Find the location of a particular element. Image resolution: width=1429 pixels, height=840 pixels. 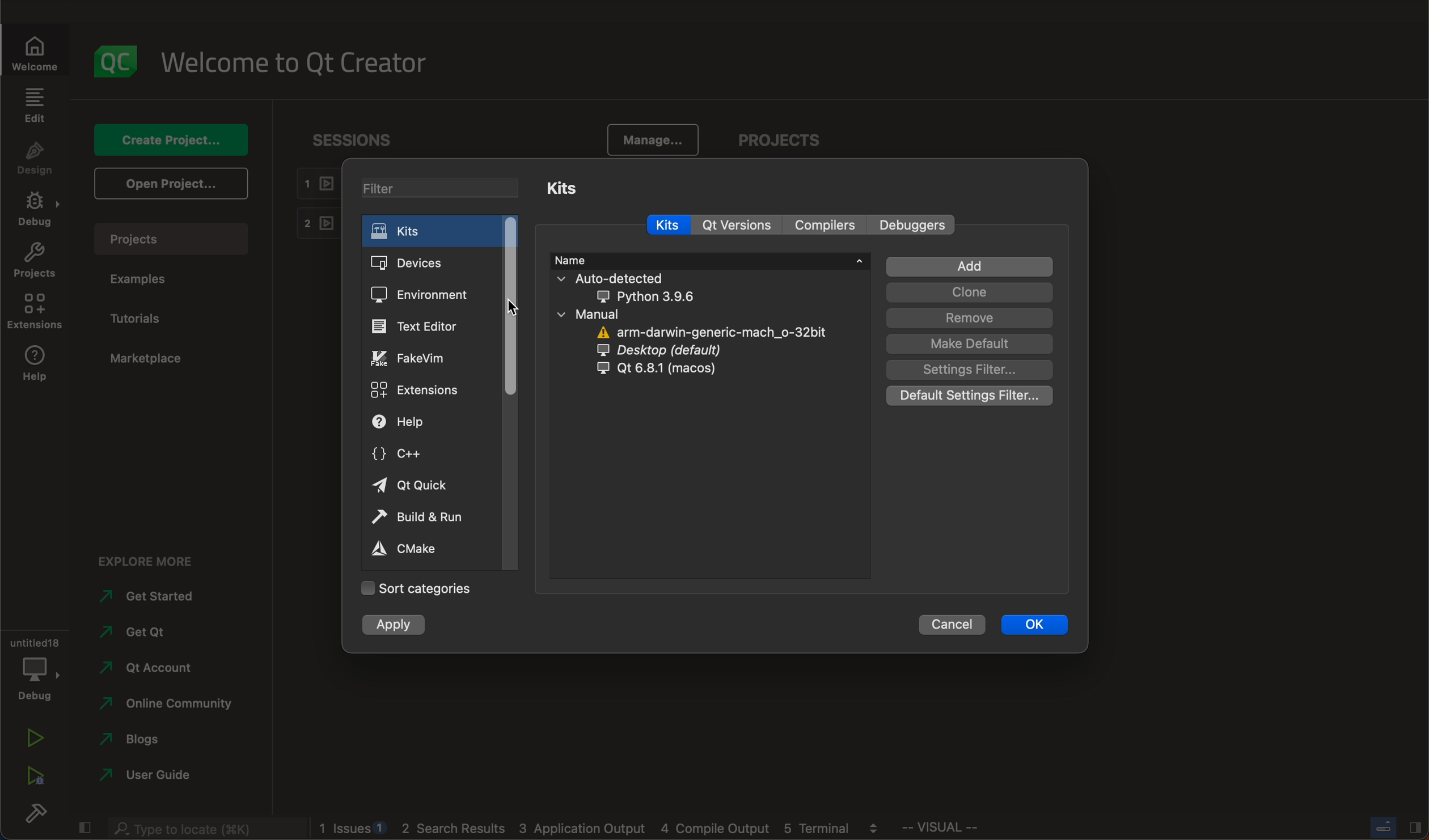

tutorials is located at coordinates (149, 317).